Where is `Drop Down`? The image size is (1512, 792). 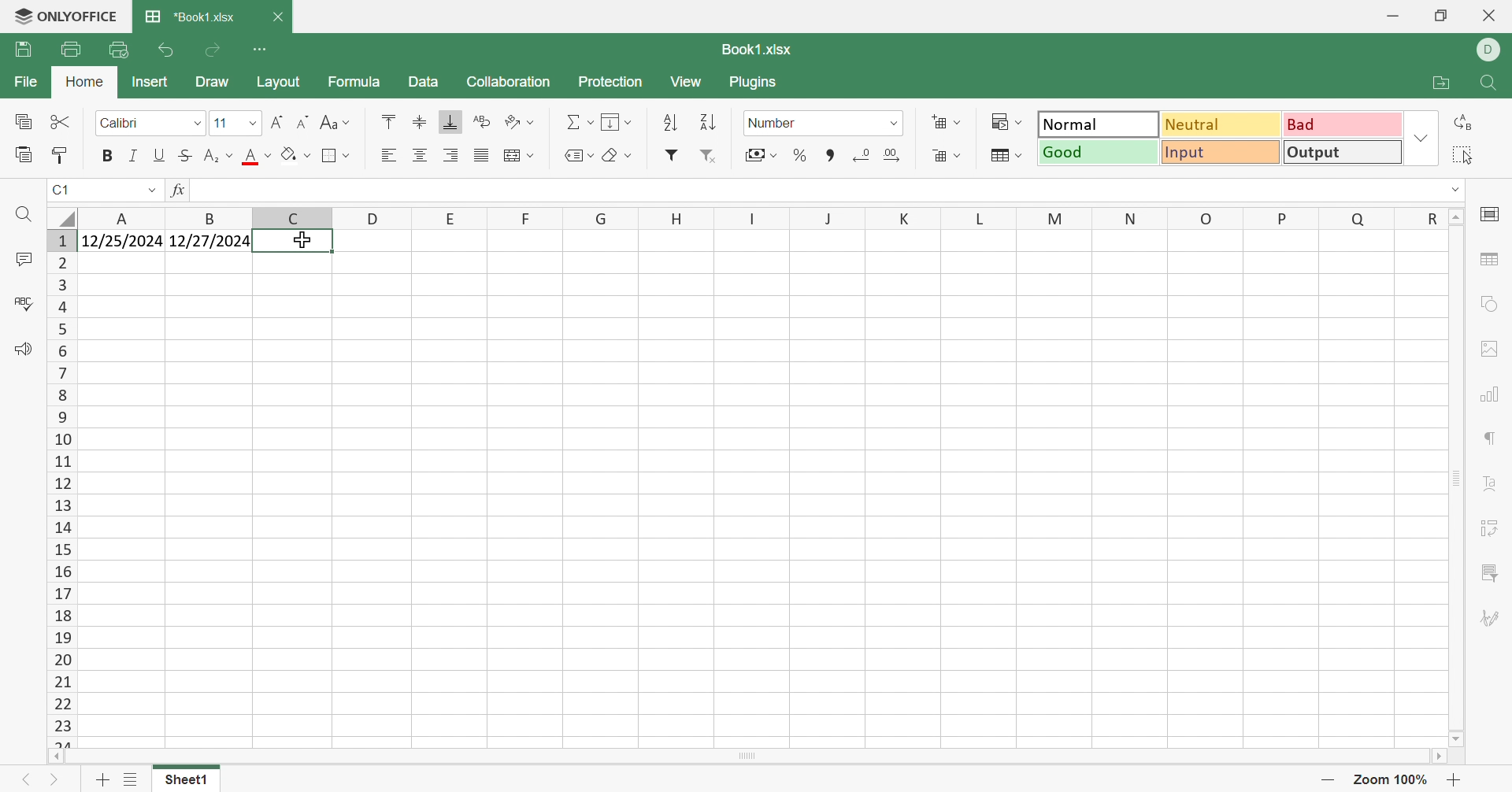
Drop Down is located at coordinates (198, 127).